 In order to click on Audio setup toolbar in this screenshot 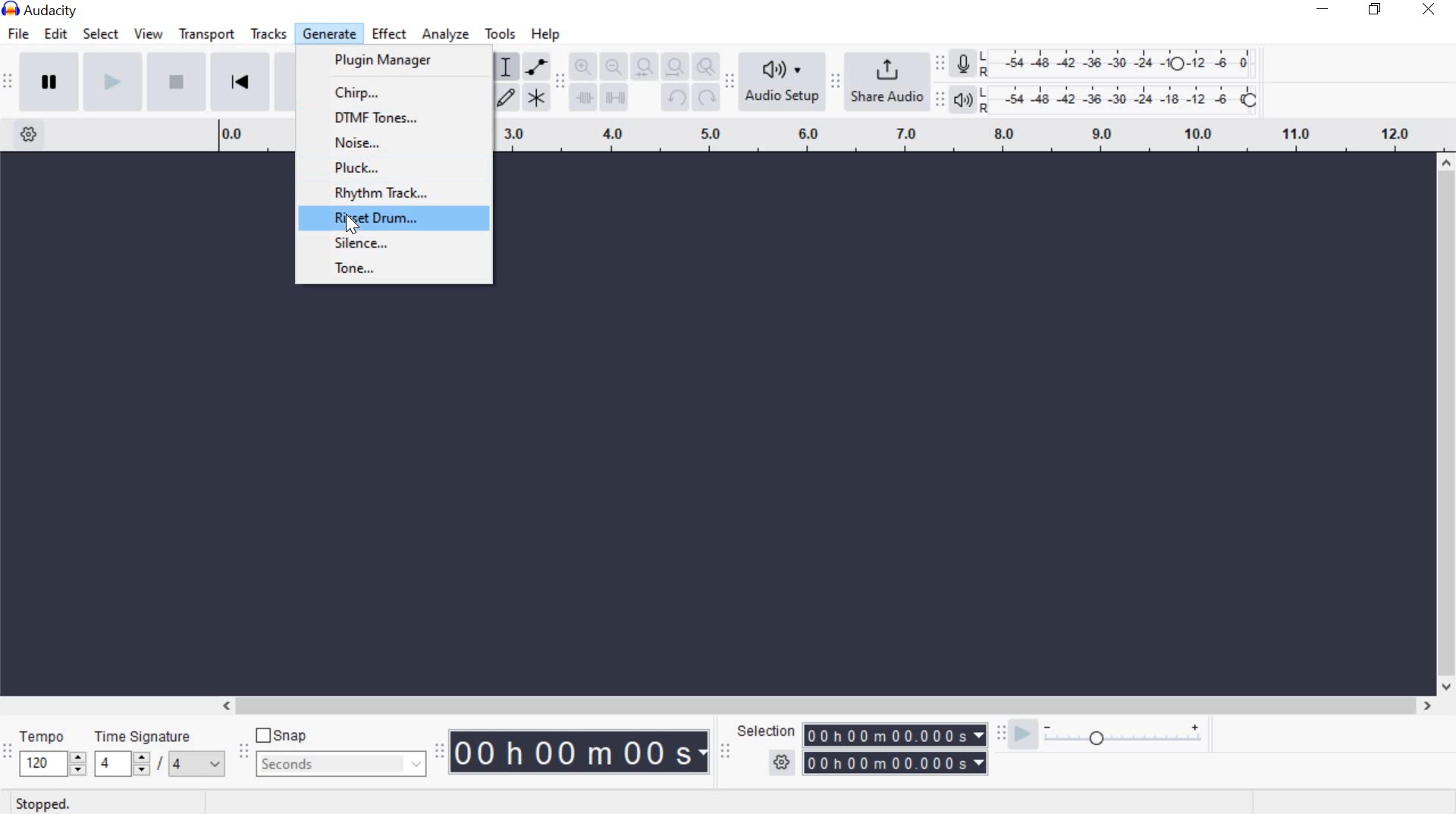, I will do `click(728, 81)`.